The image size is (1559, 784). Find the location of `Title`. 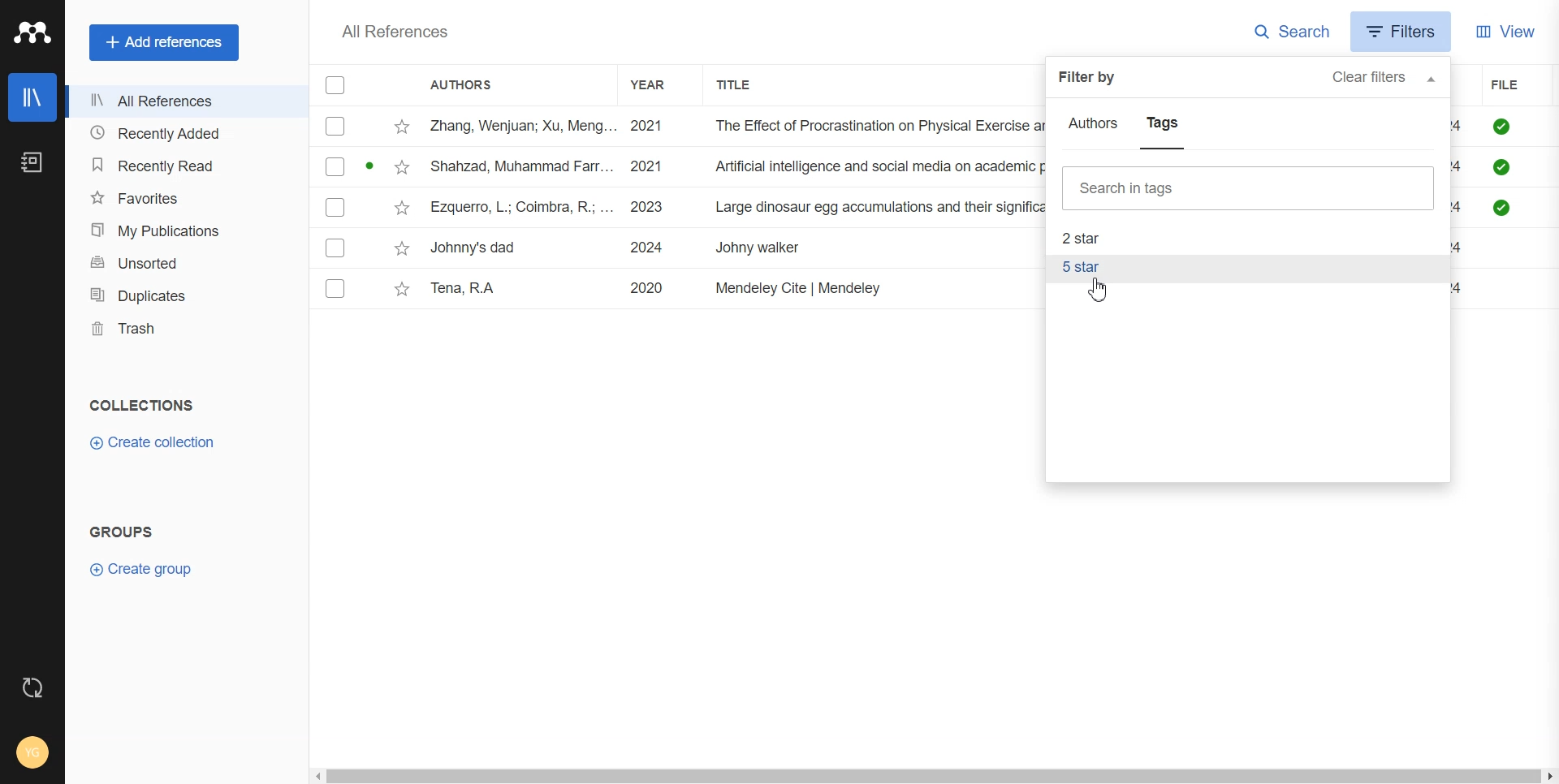

Title is located at coordinates (752, 85).